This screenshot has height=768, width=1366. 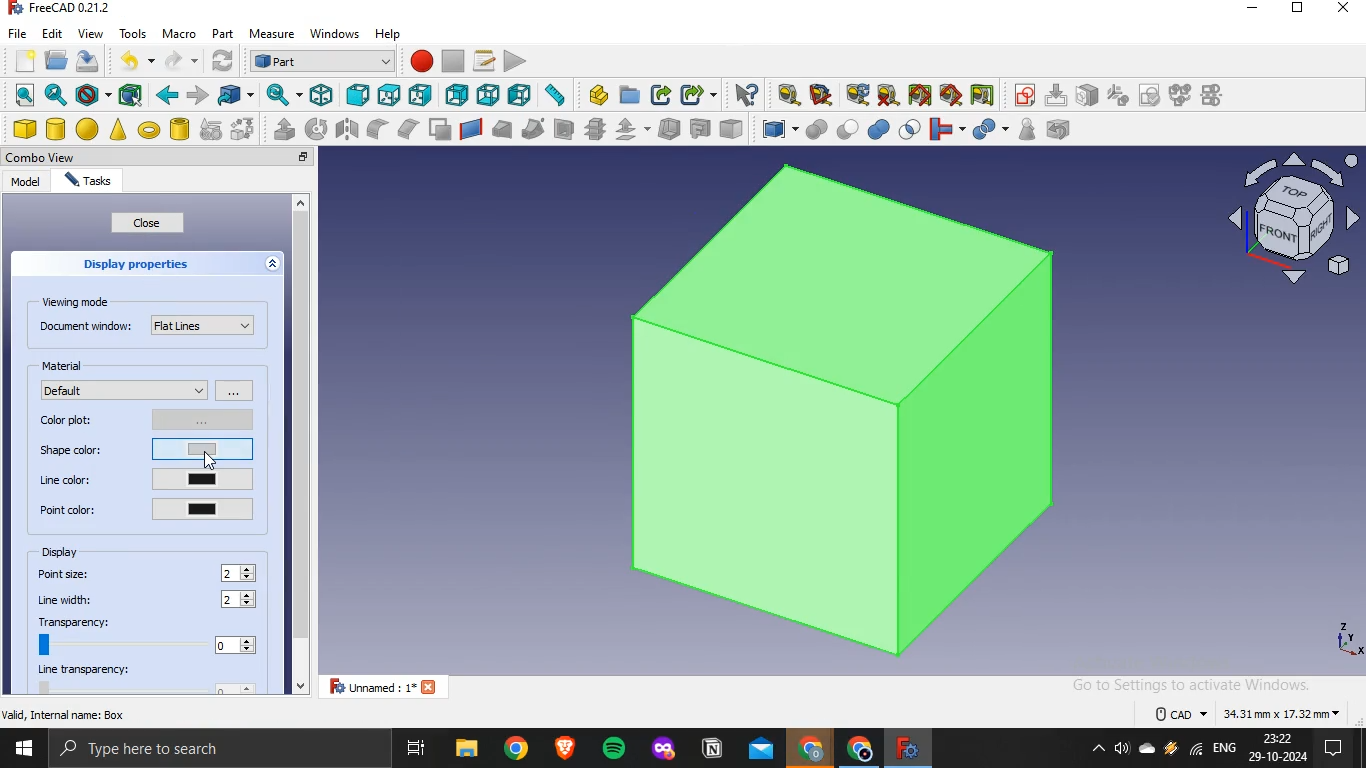 I want to click on sphere, so click(x=88, y=129).